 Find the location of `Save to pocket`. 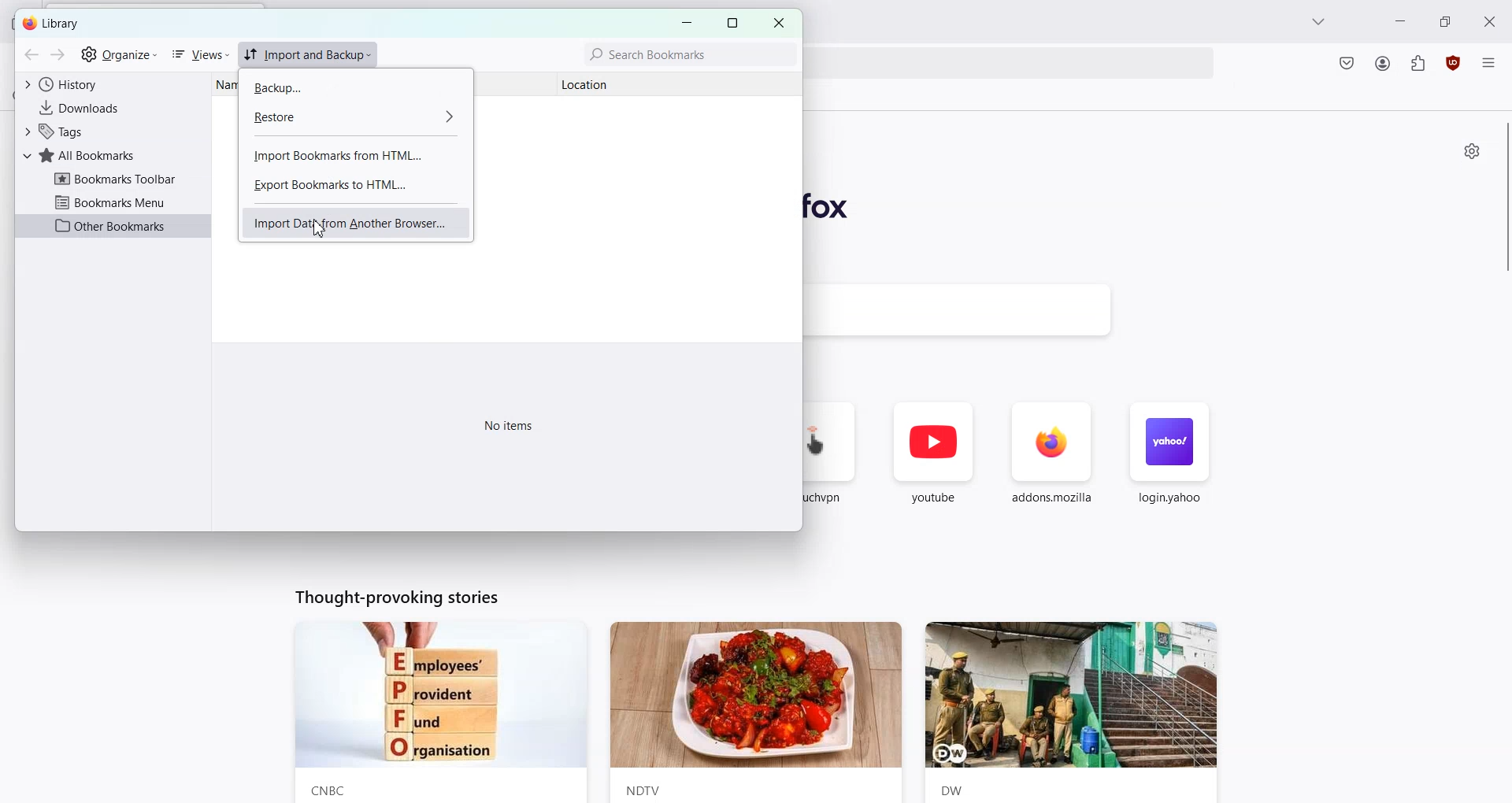

Save to pocket is located at coordinates (1347, 65).